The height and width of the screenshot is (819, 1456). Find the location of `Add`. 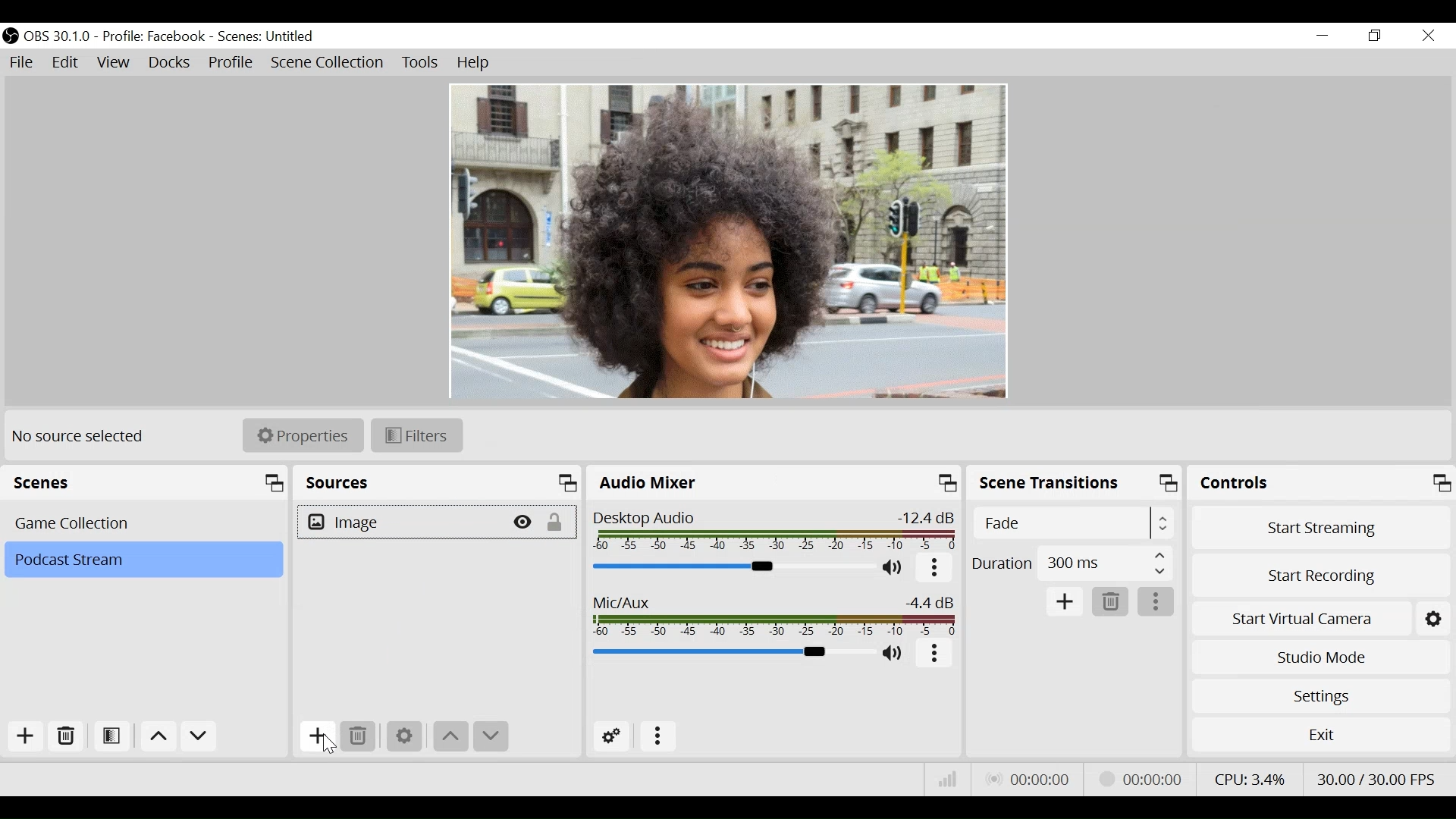

Add is located at coordinates (315, 739).